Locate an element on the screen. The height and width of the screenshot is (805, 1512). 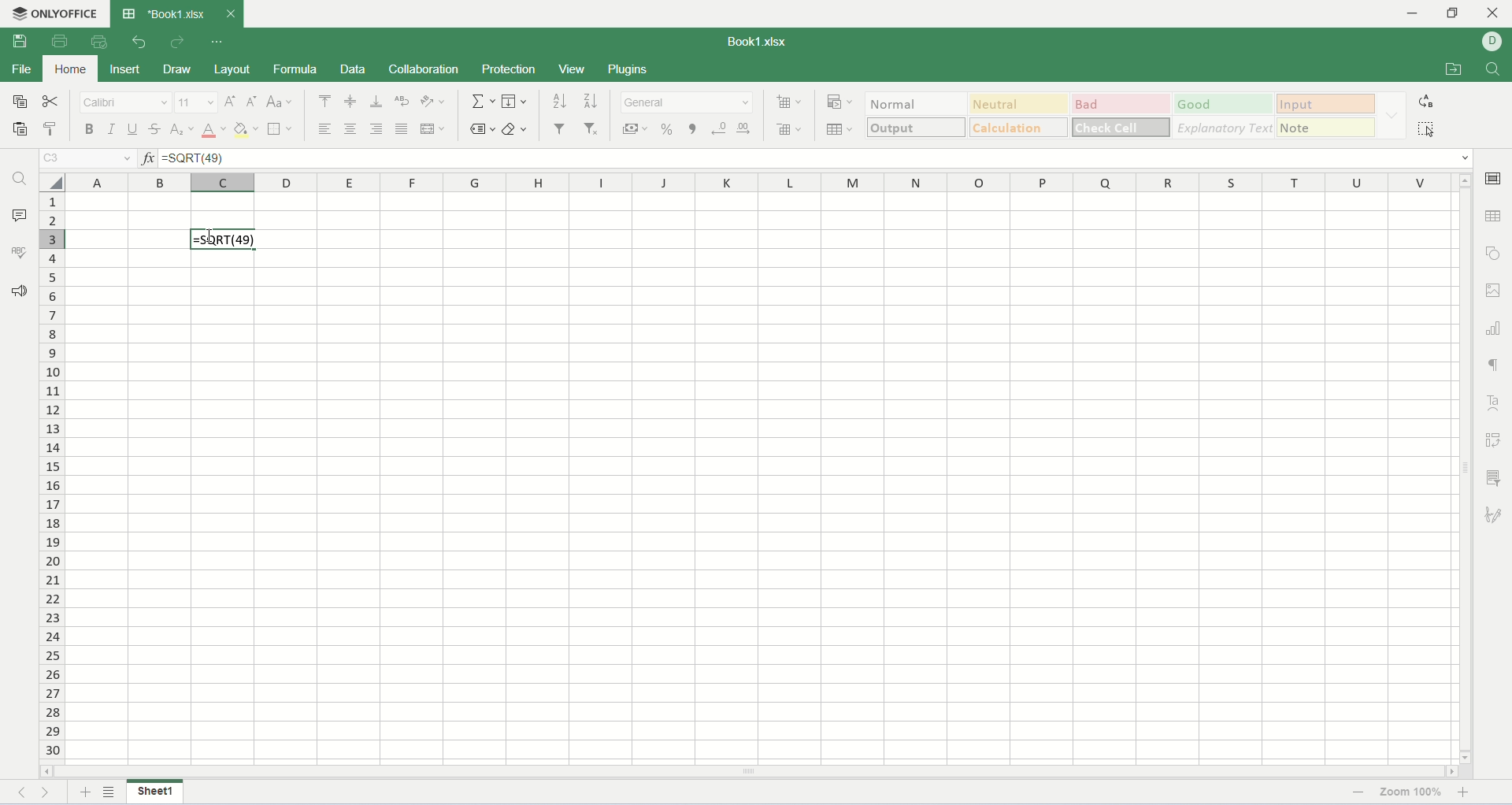
named ranges is located at coordinates (483, 131).